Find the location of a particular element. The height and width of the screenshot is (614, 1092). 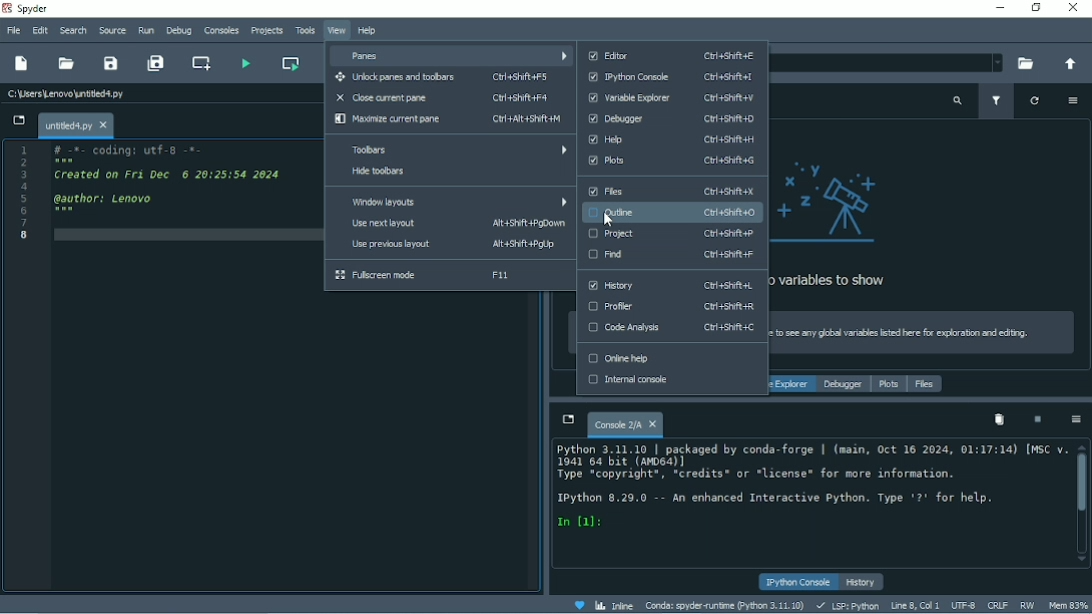

Panes is located at coordinates (450, 57).